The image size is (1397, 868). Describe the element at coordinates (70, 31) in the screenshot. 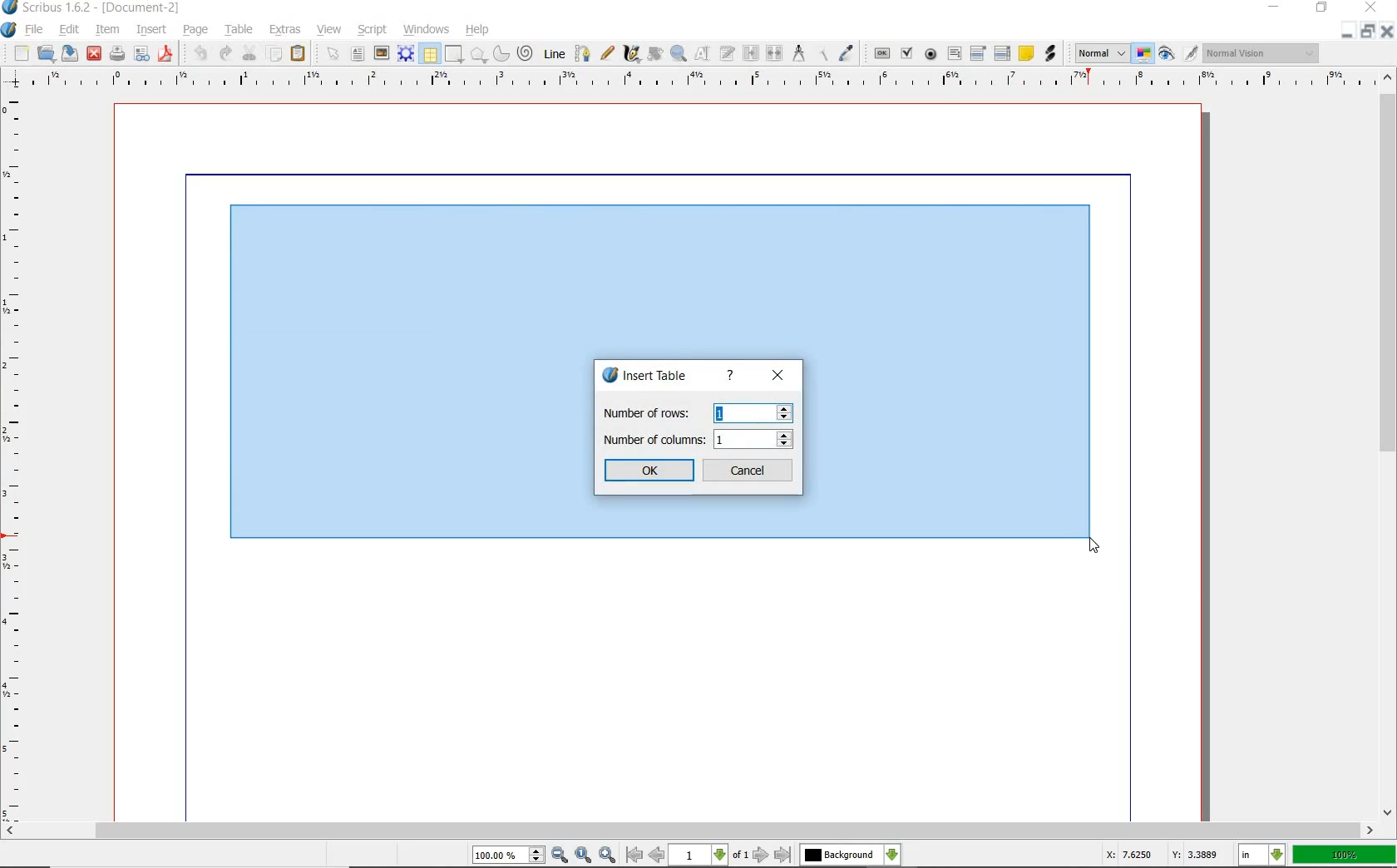

I see `edit` at that location.